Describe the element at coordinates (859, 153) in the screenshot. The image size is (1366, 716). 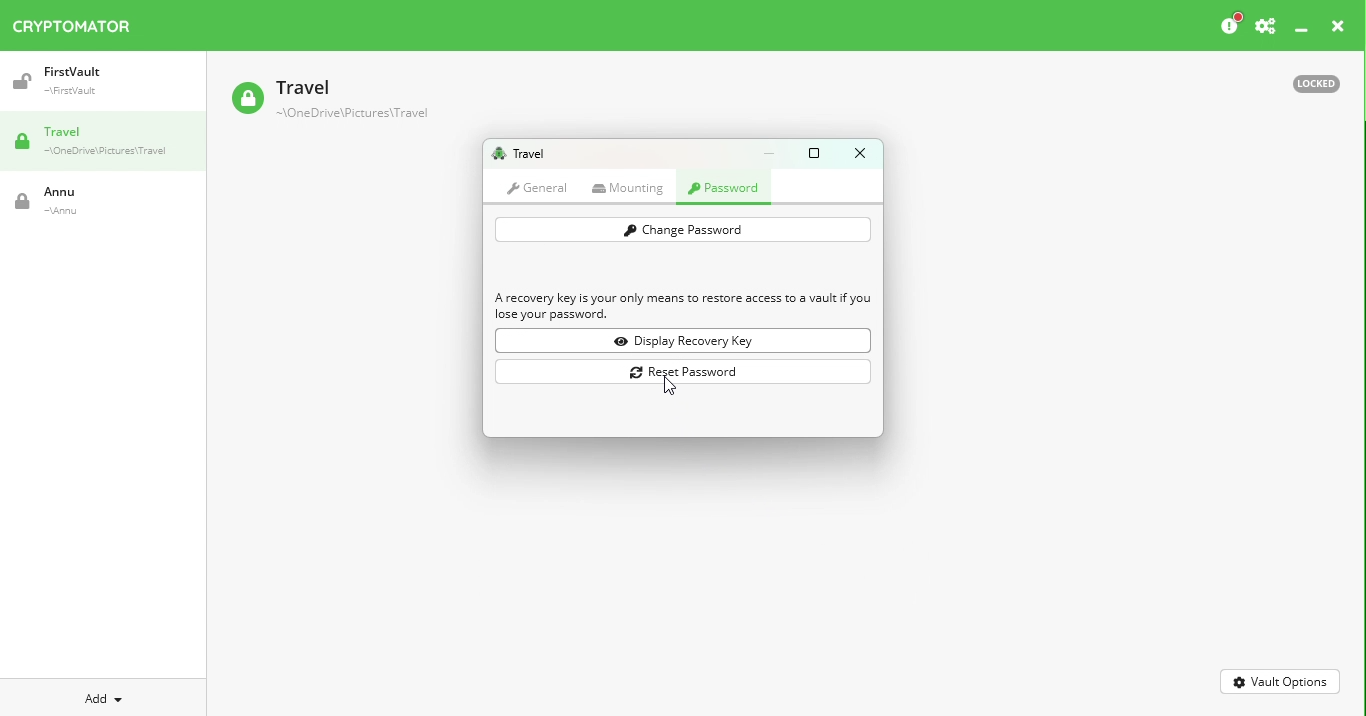
I see `Close` at that location.